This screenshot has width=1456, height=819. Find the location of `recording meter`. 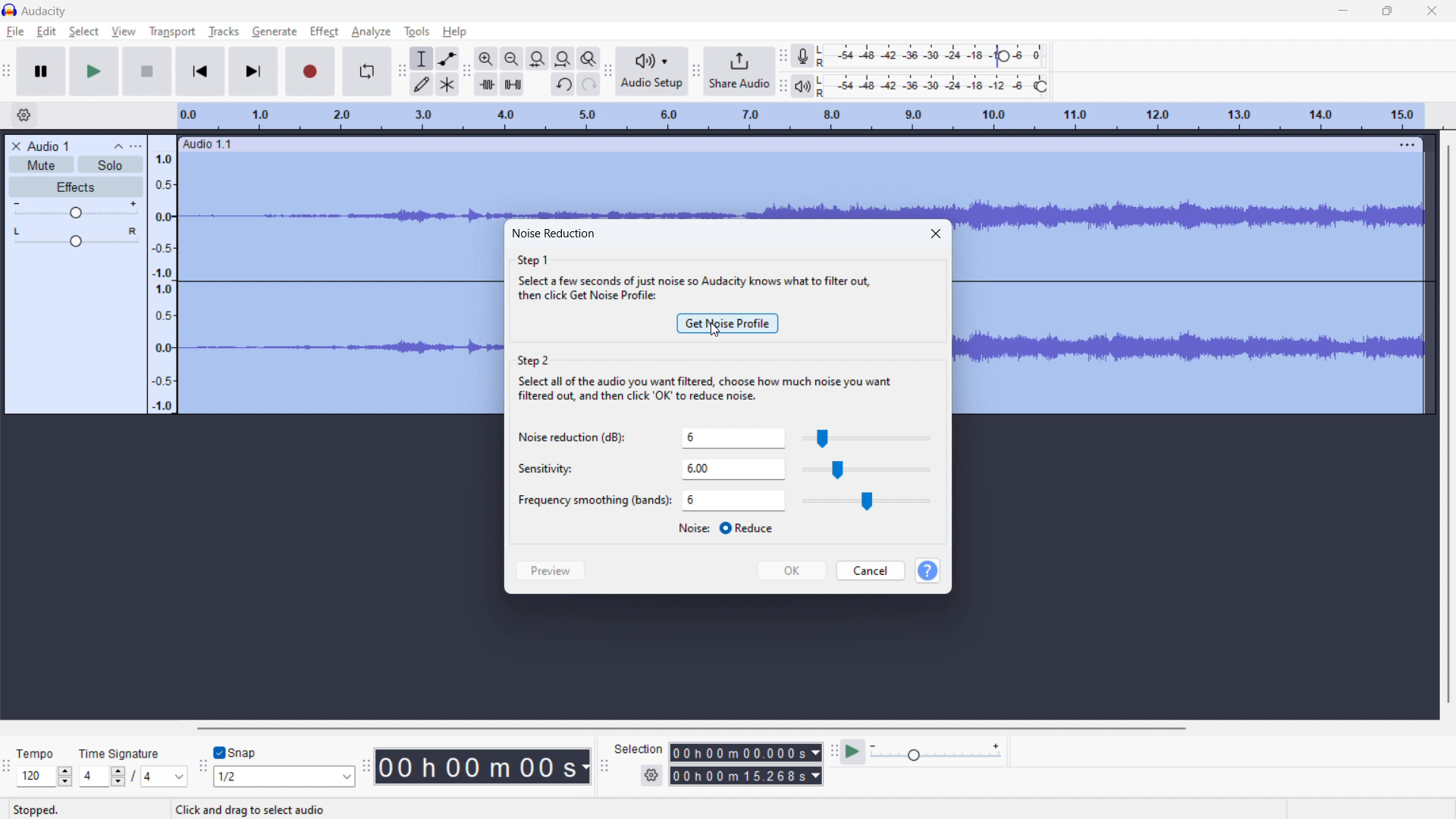

recording meter is located at coordinates (802, 57).